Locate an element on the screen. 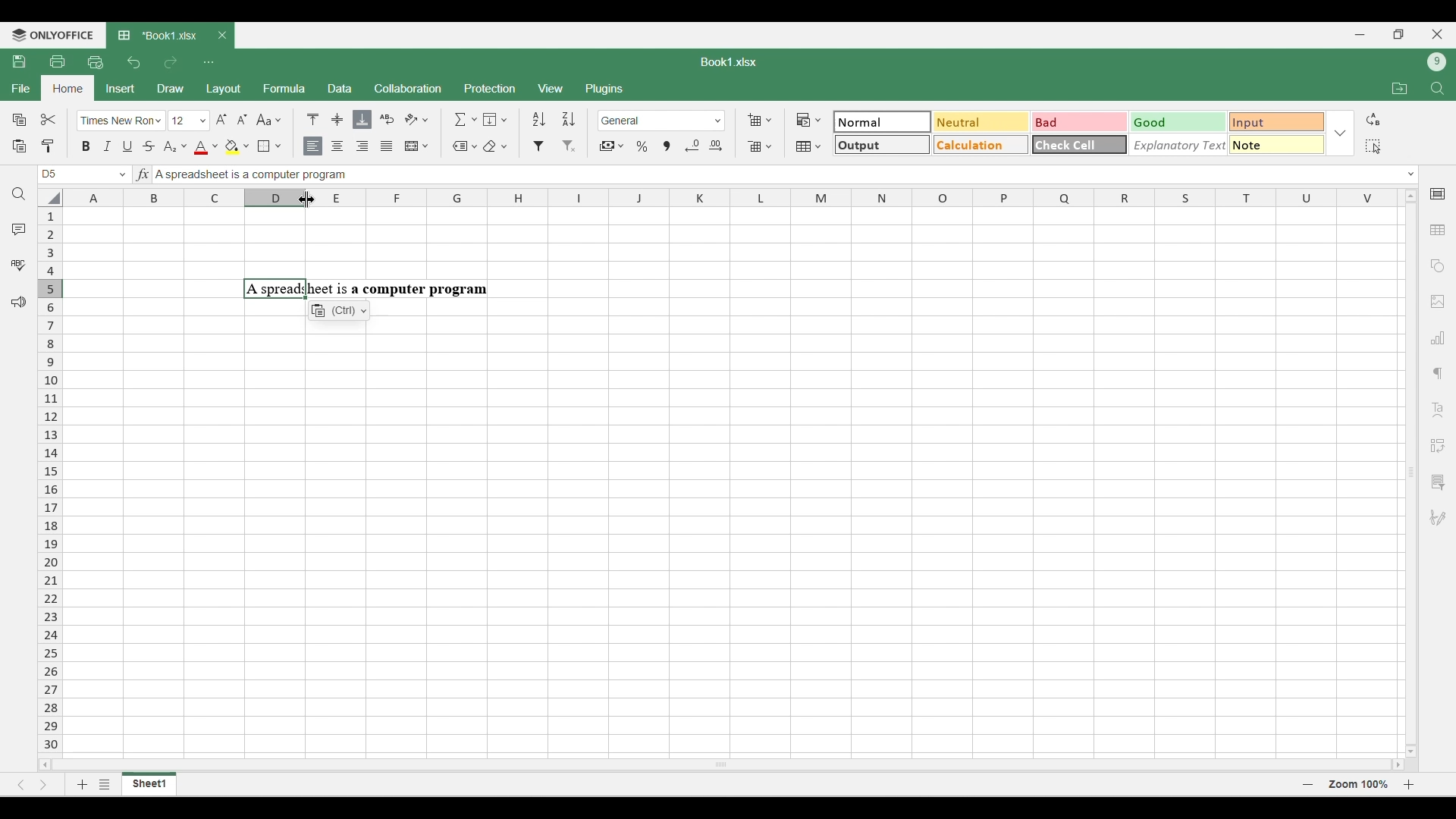  Comment is located at coordinates (19, 229).